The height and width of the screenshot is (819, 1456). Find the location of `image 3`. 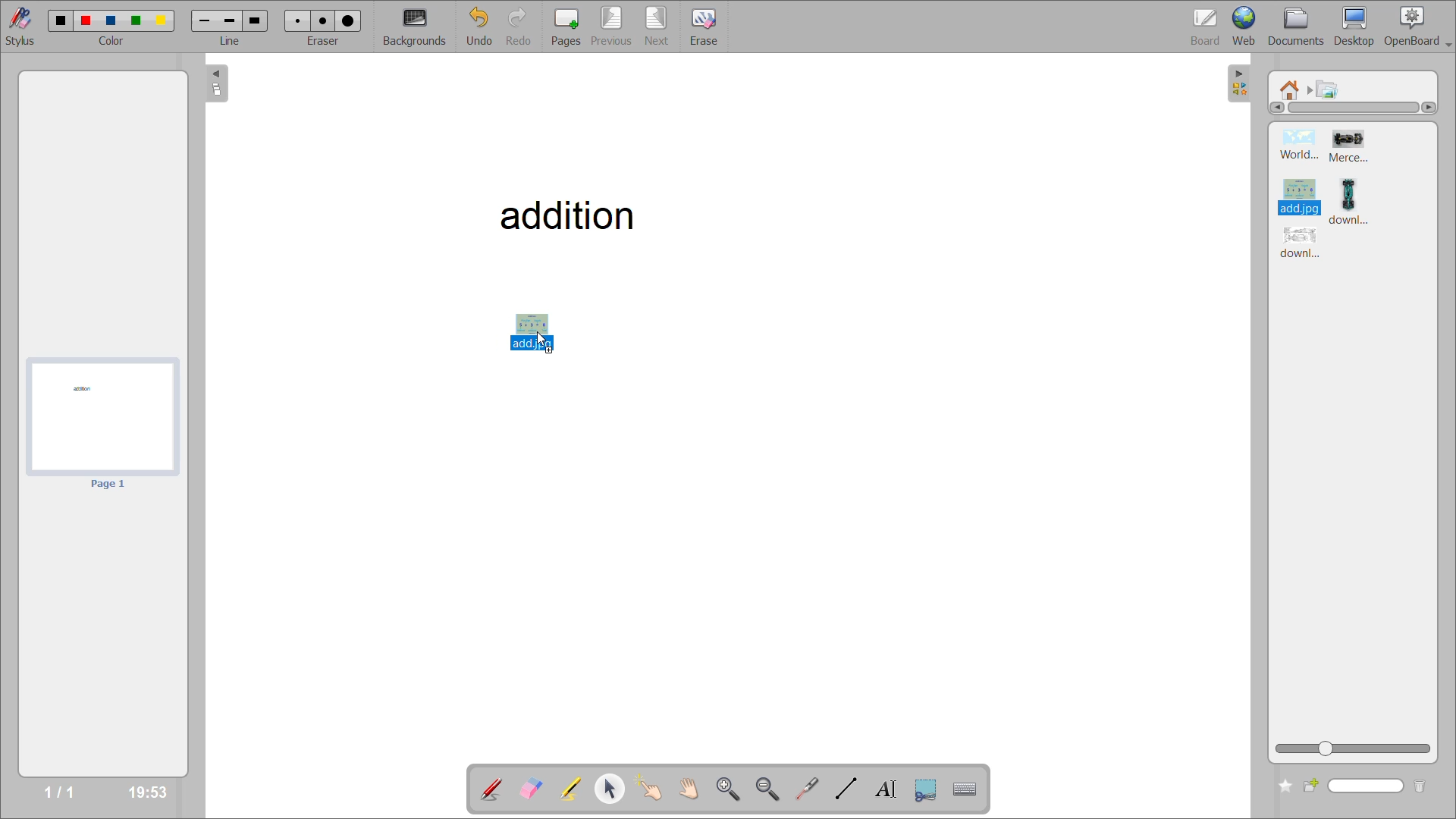

image 3 is located at coordinates (1296, 193).